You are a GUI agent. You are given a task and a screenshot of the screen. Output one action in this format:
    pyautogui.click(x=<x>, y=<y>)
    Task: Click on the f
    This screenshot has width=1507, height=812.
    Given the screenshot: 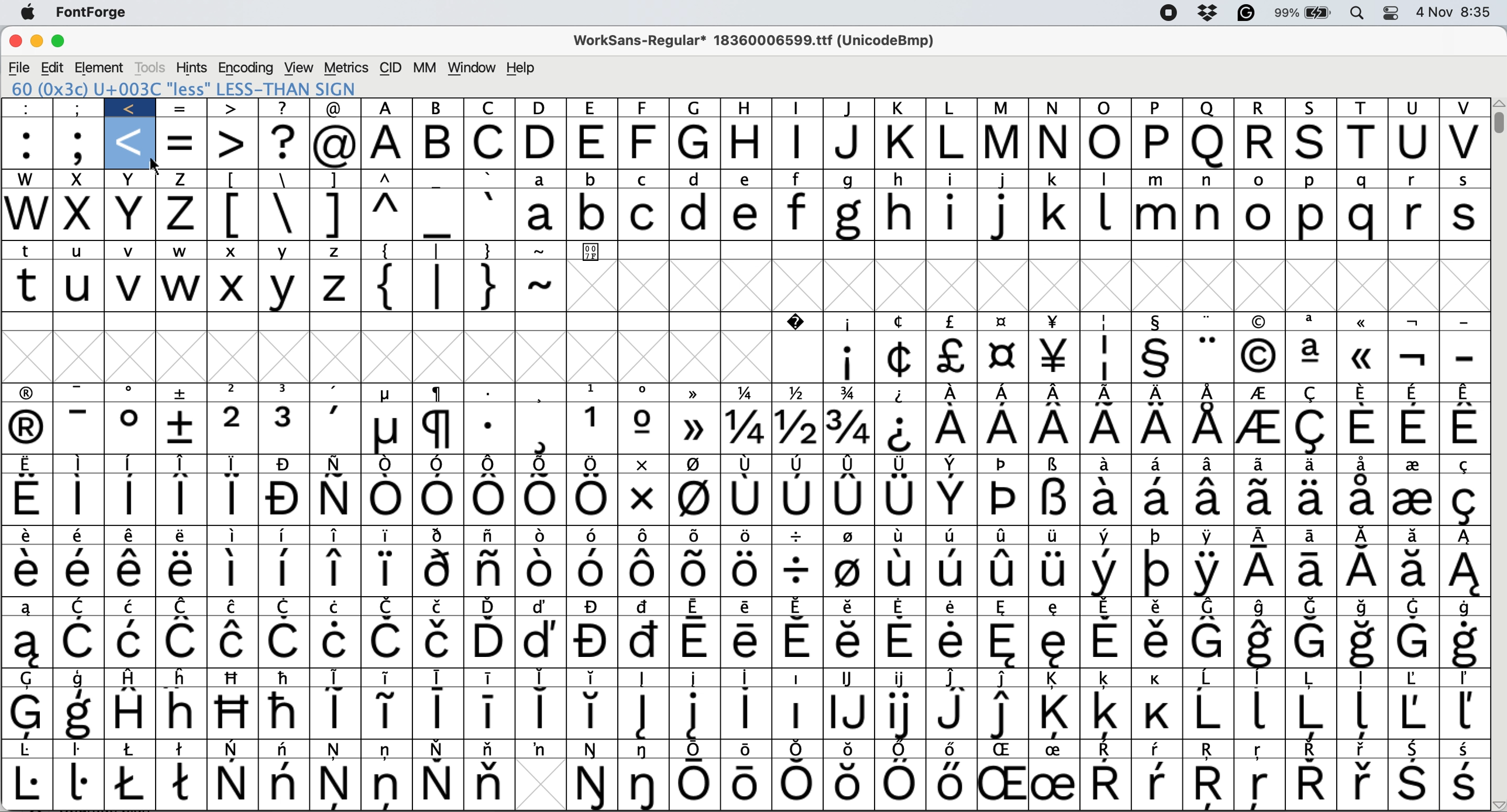 What is the action you would take?
    pyautogui.click(x=645, y=144)
    